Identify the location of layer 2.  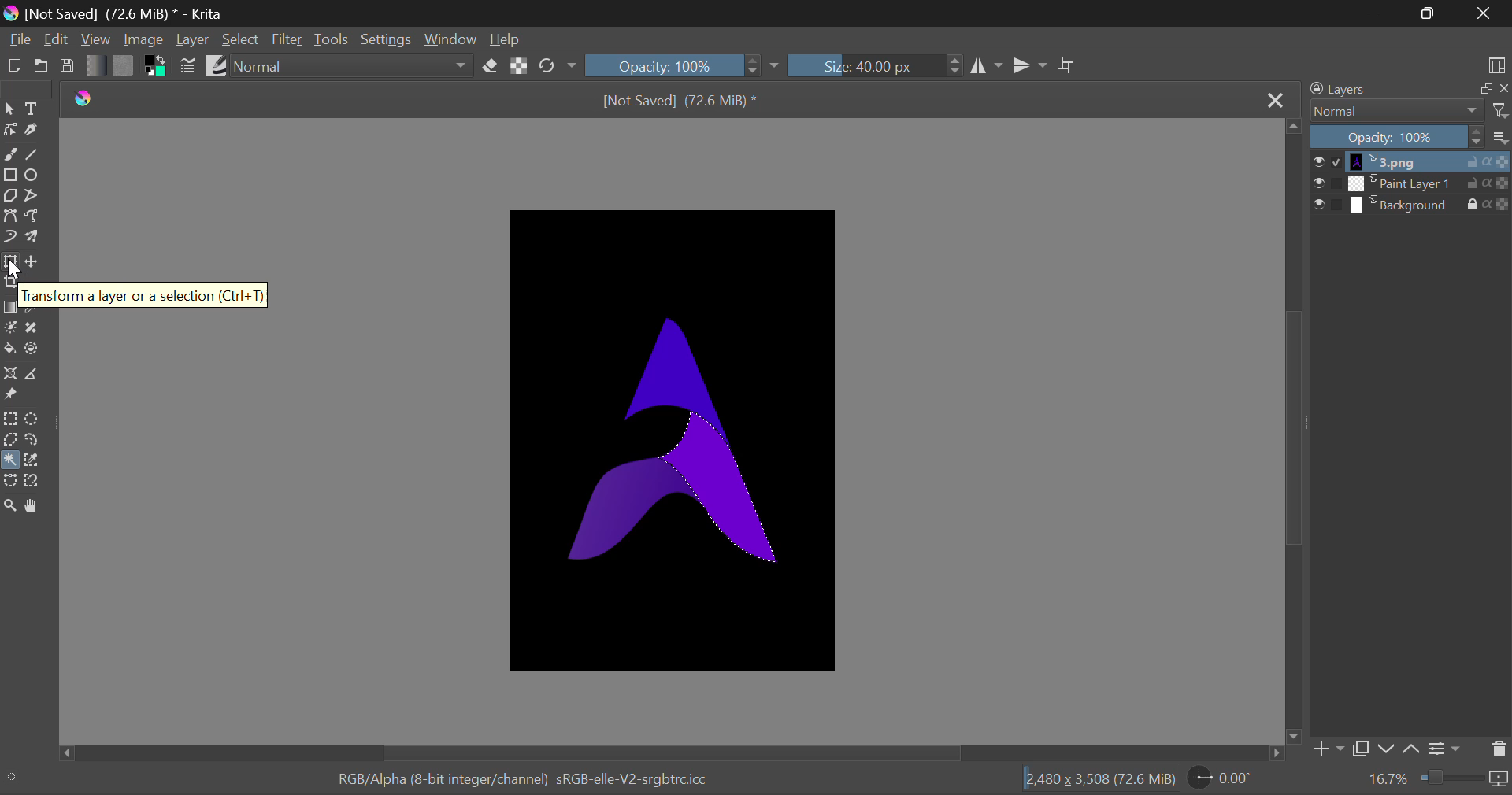
(1402, 183).